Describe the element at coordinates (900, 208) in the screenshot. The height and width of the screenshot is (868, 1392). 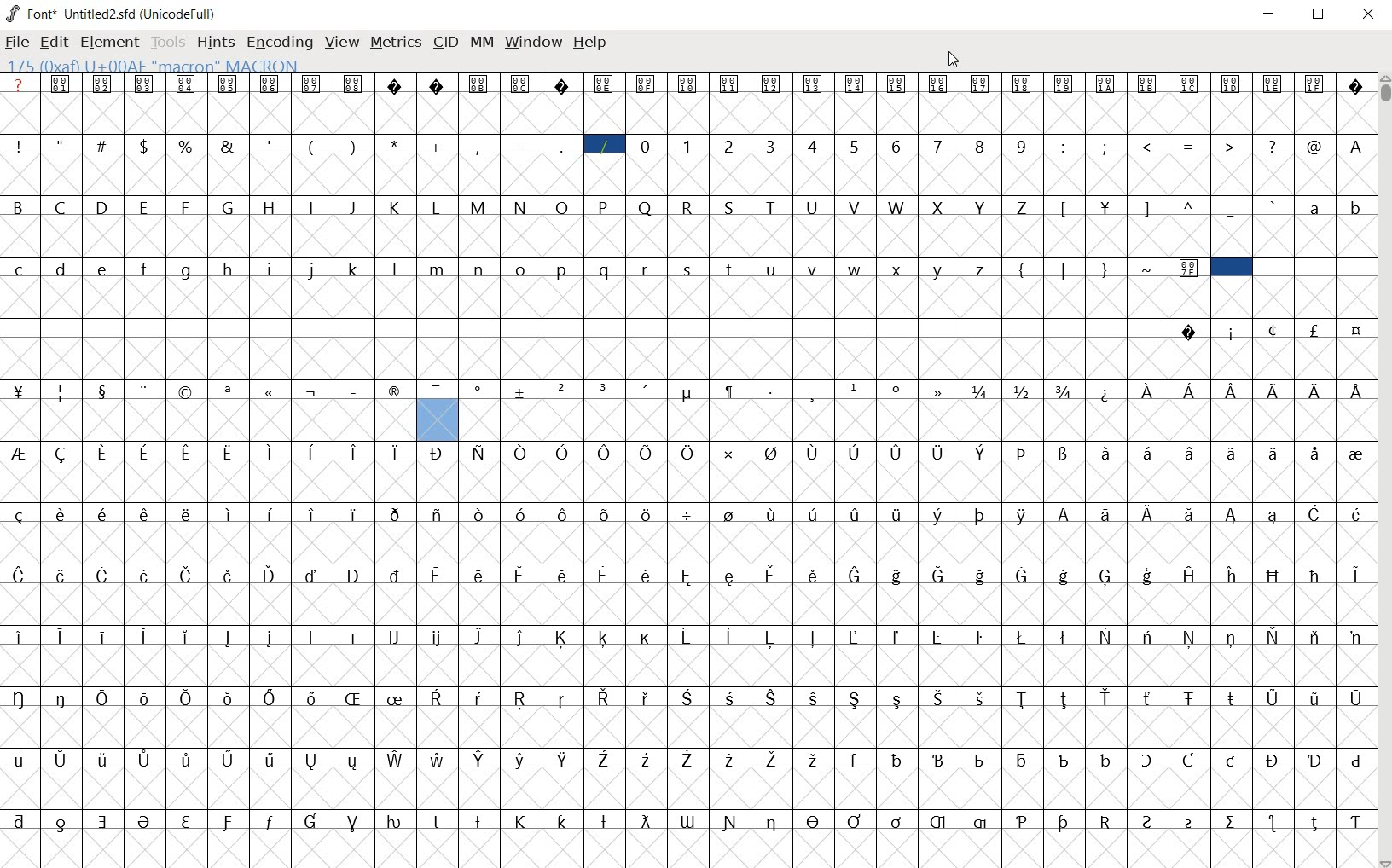
I see `W` at that location.